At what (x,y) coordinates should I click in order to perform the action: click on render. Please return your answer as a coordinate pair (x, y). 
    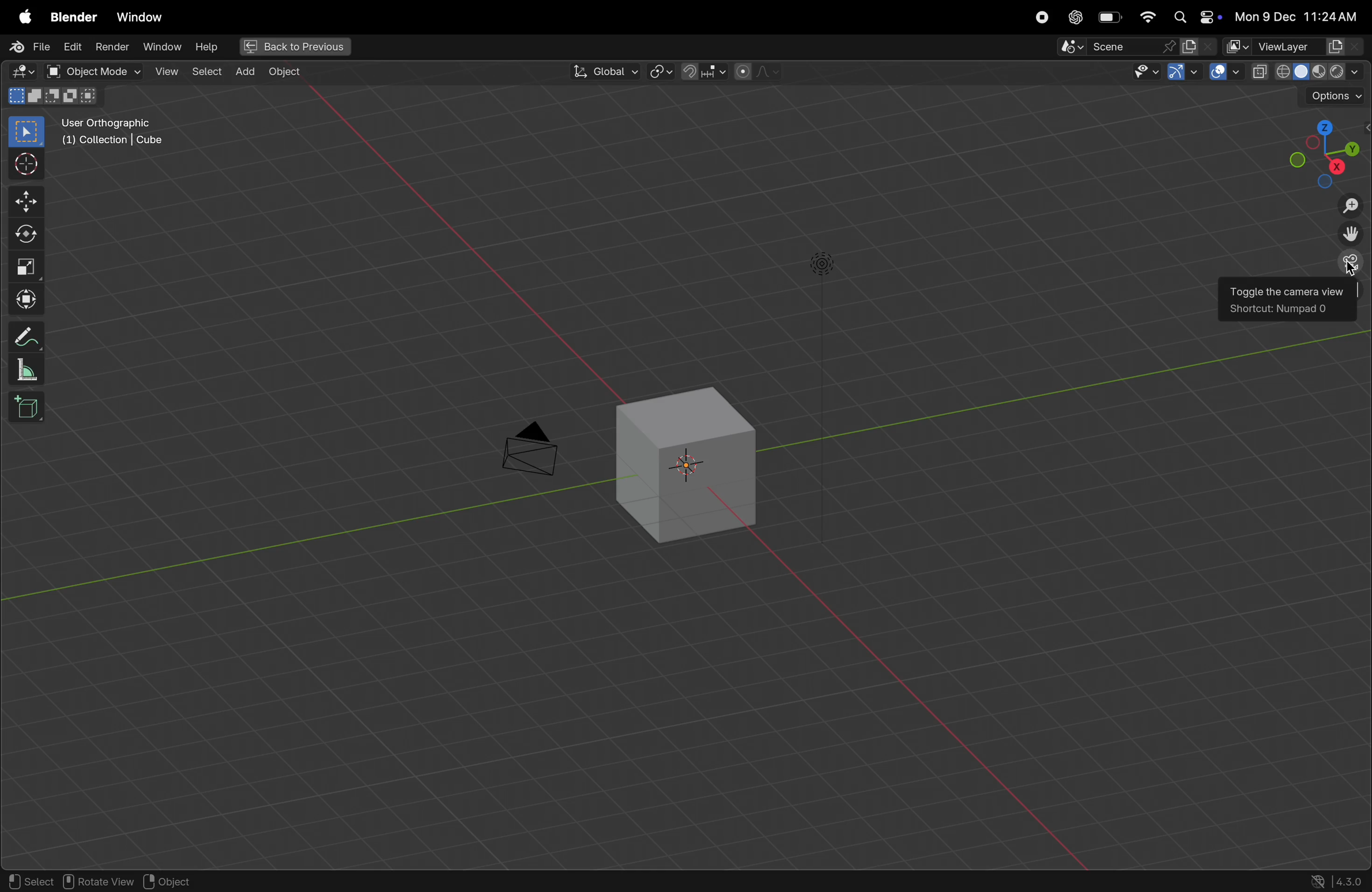
    Looking at the image, I should click on (110, 47).